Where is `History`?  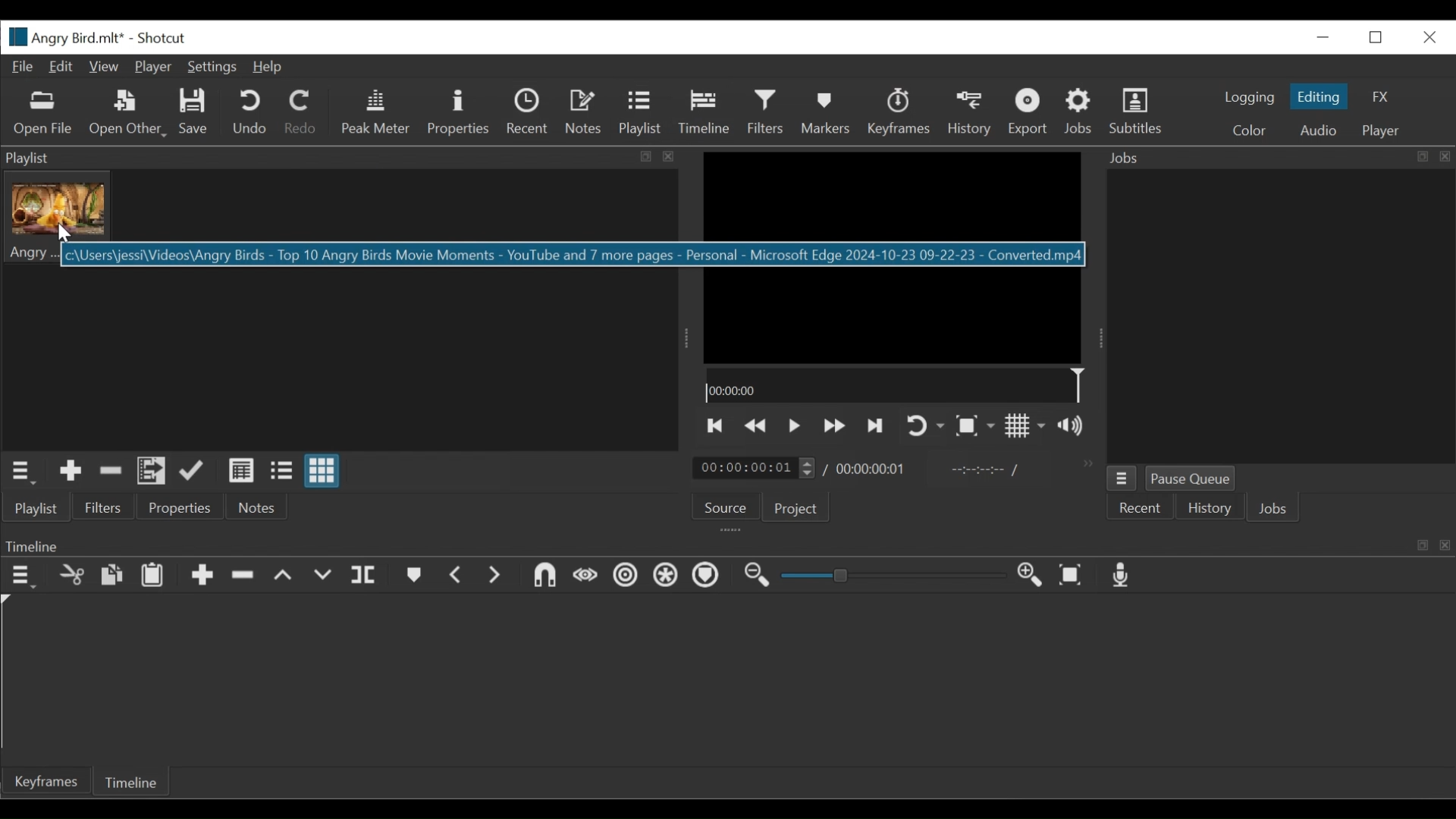
History is located at coordinates (971, 113).